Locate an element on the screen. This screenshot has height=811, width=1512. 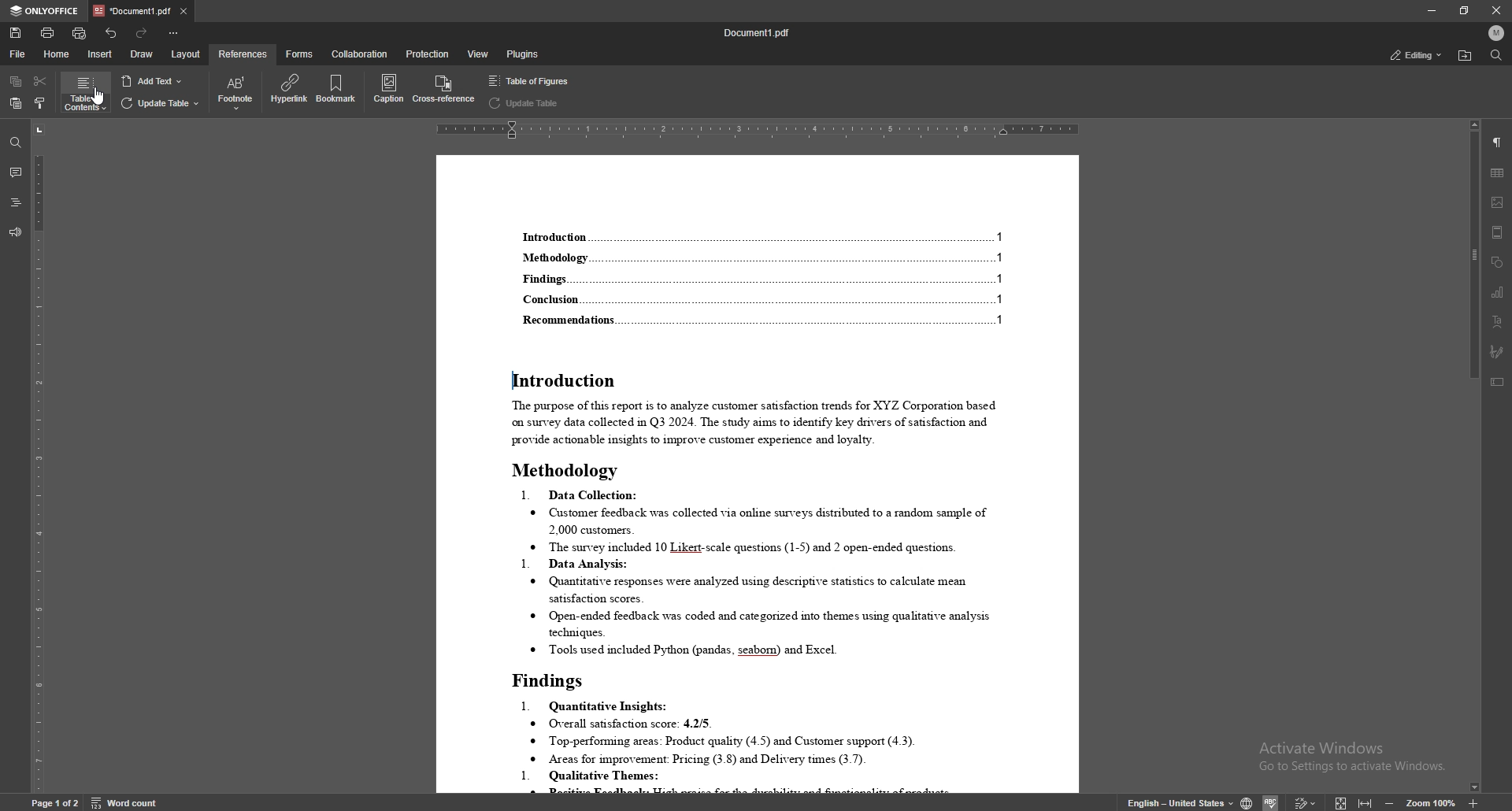
header/footer is located at coordinates (1499, 232).